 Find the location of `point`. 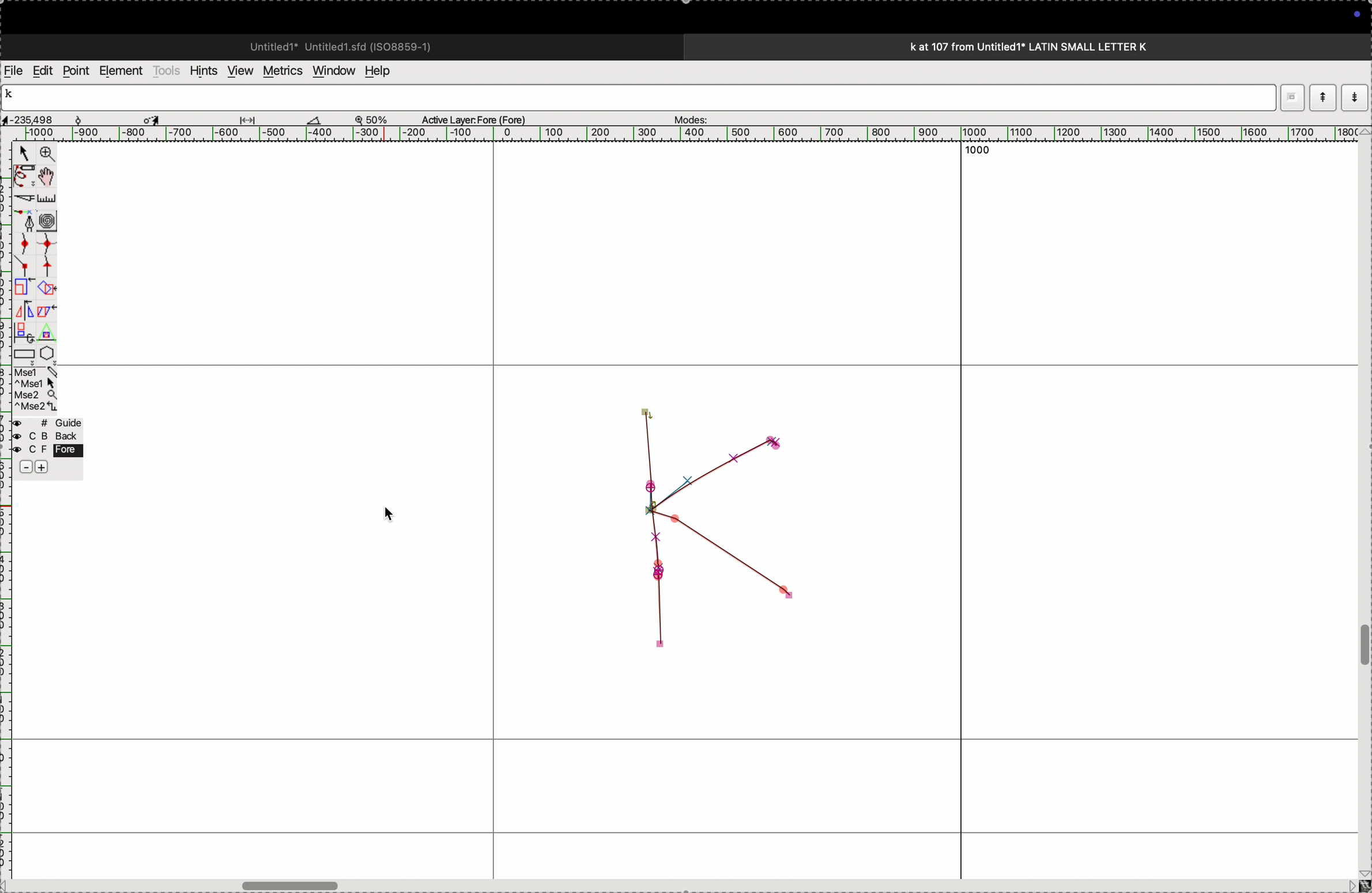

point is located at coordinates (76, 71).